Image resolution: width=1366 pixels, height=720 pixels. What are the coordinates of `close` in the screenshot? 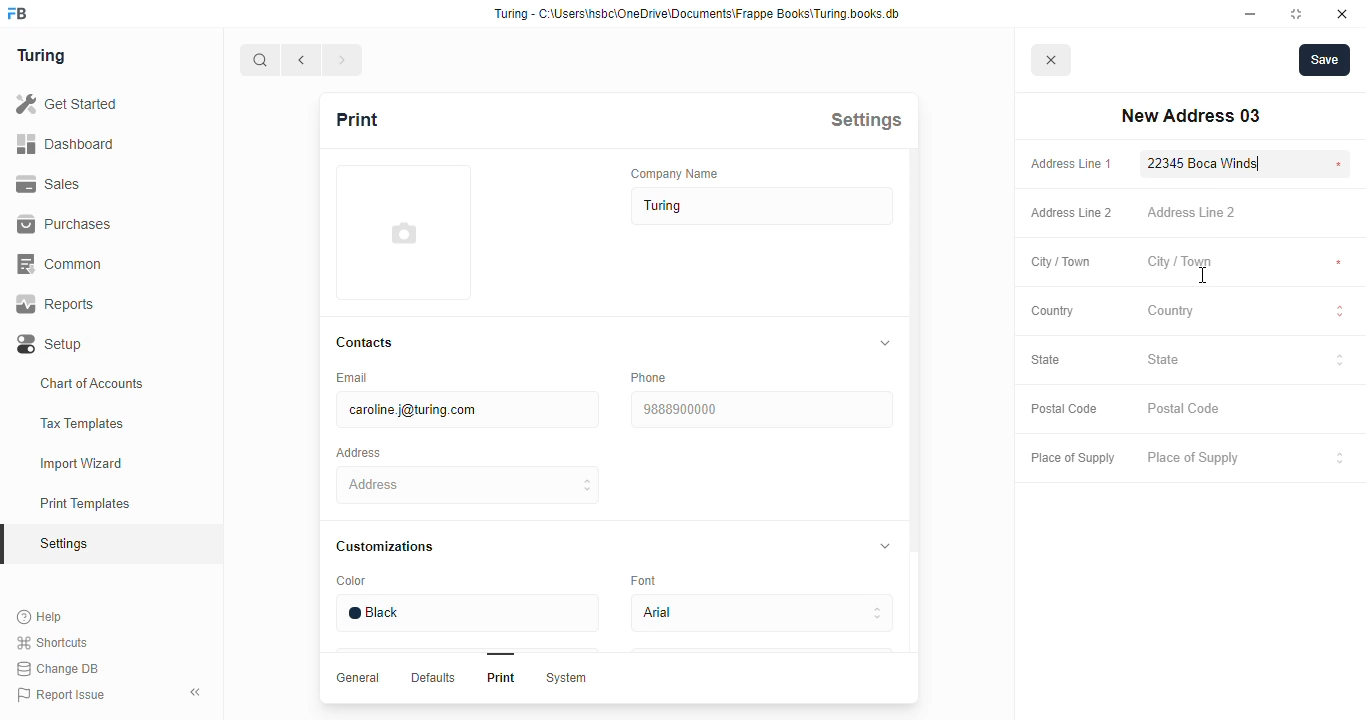 It's located at (1342, 14).